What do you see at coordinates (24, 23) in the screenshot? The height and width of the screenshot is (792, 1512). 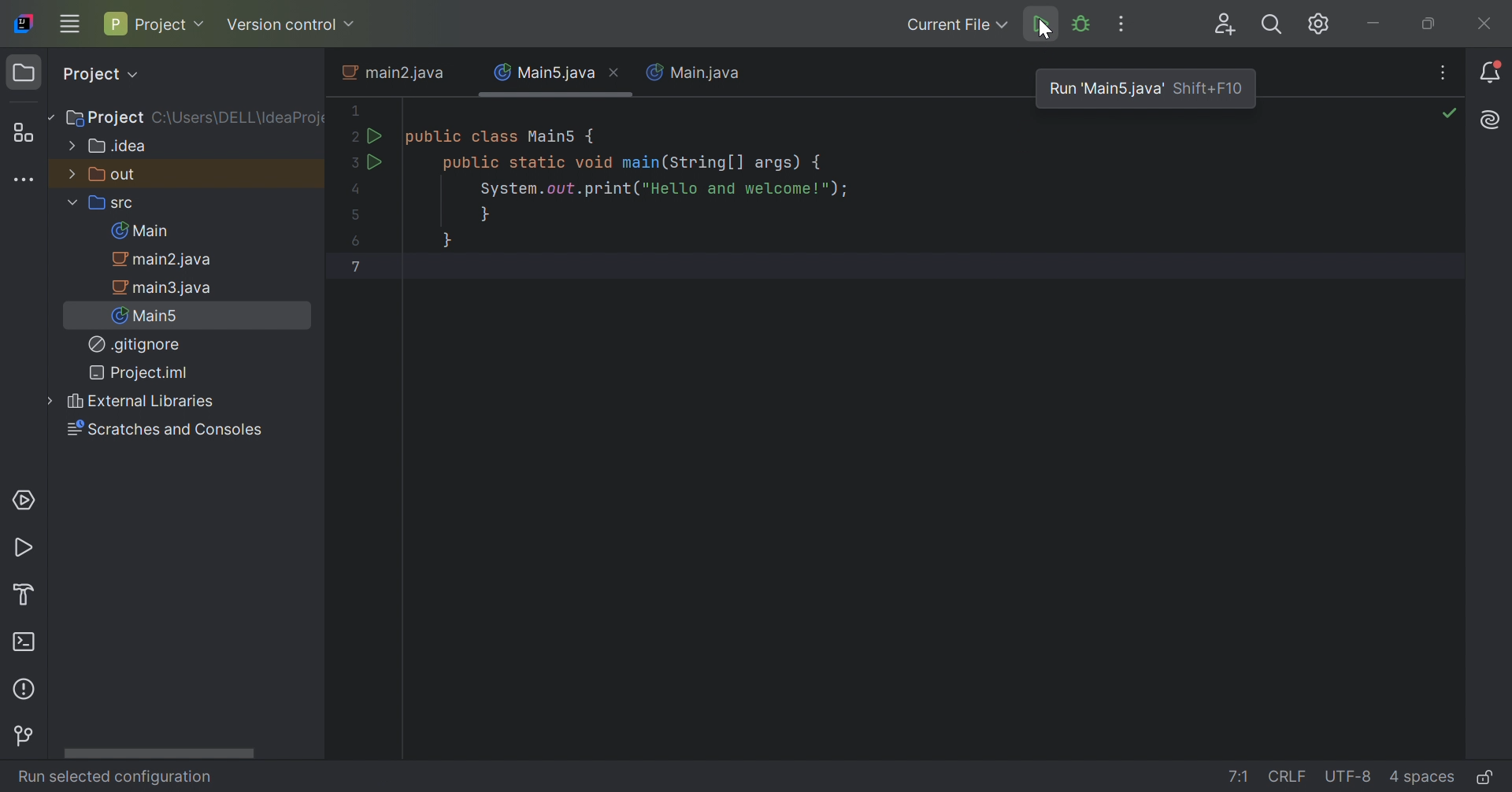 I see `IntelliJ IDEA icon` at bounding box center [24, 23].